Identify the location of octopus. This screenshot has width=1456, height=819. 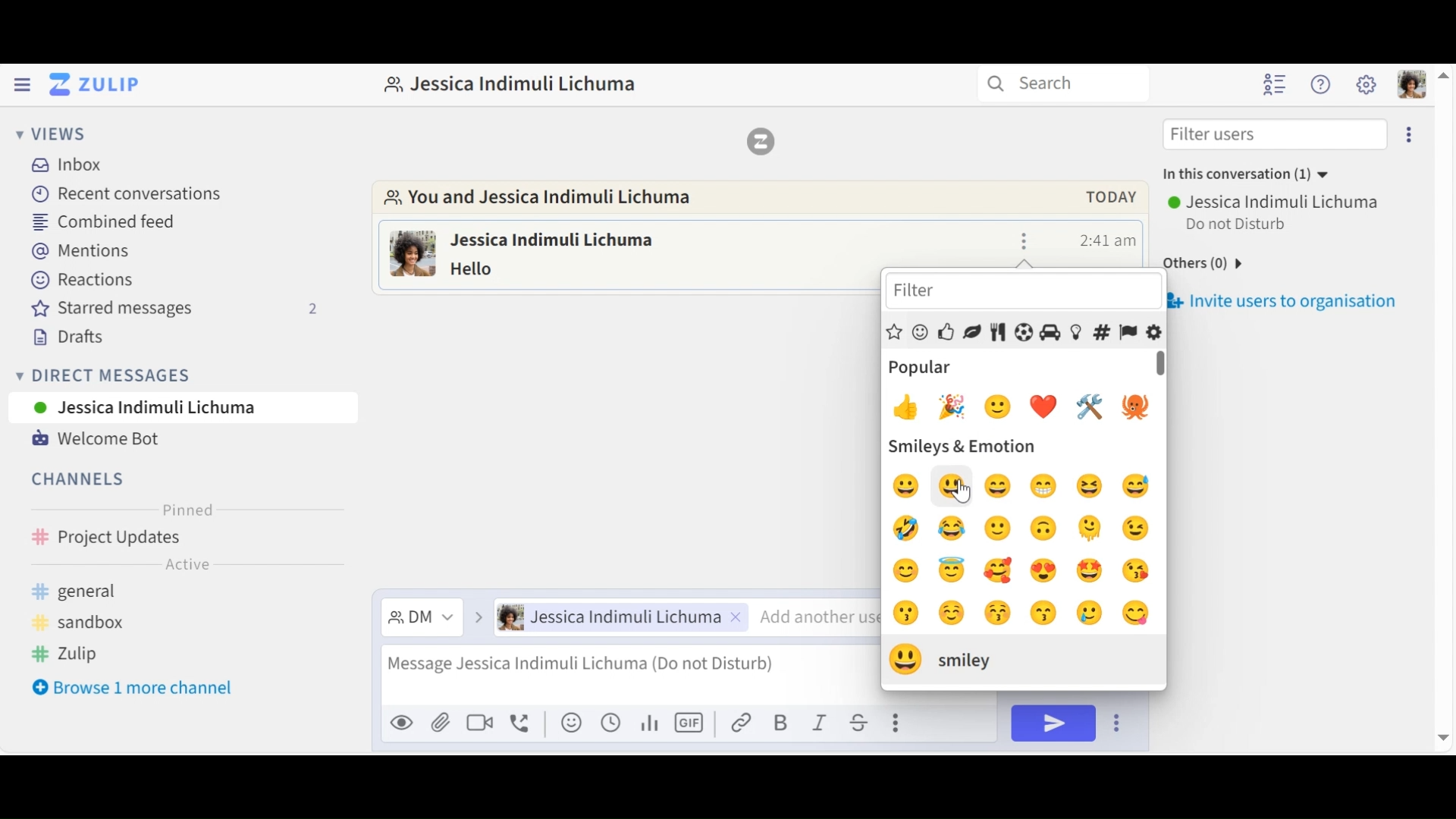
(1137, 409).